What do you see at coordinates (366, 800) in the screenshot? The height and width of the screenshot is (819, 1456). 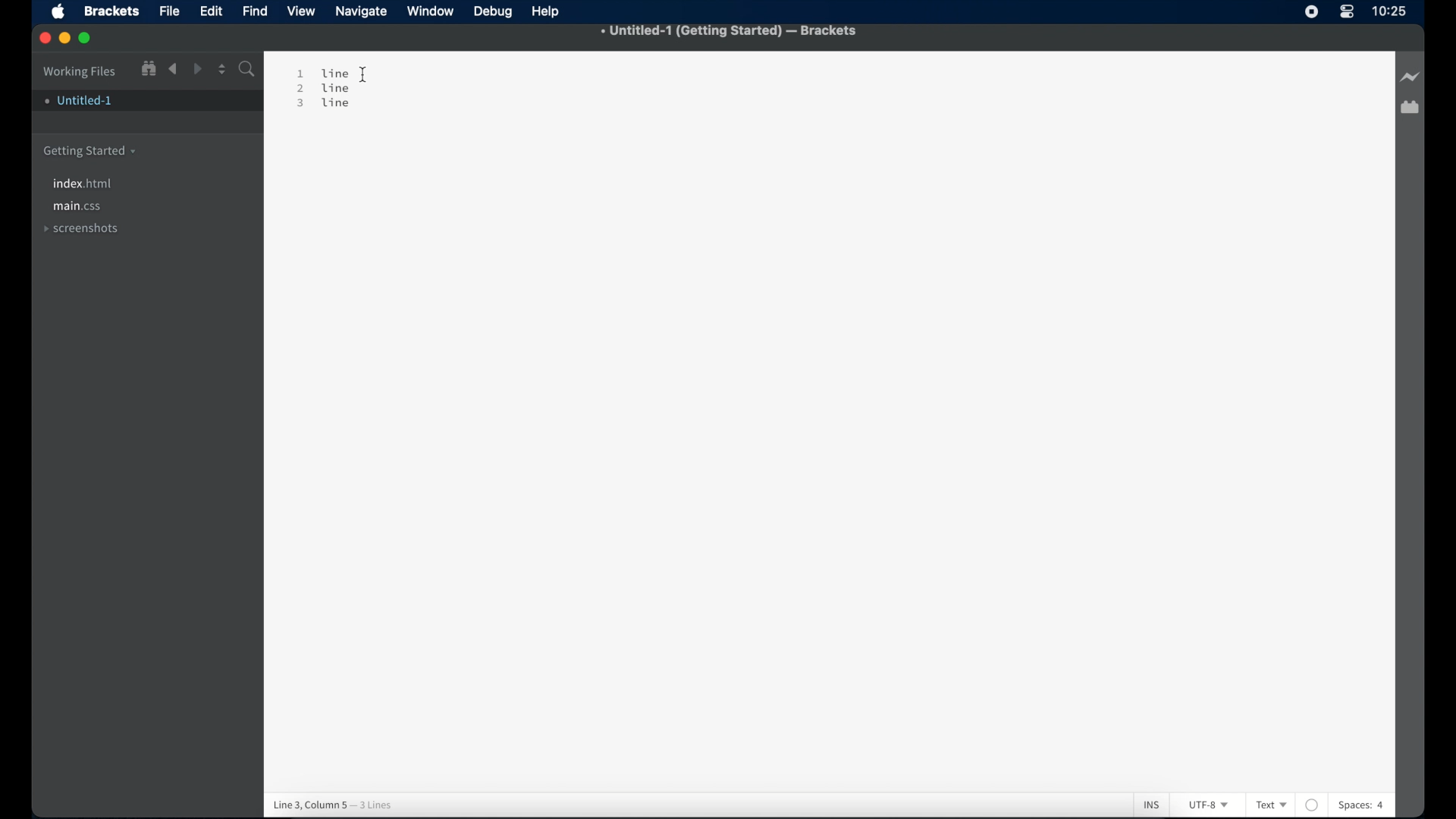 I see `line  3, column 5 - 3 lines` at bounding box center [366, 800].